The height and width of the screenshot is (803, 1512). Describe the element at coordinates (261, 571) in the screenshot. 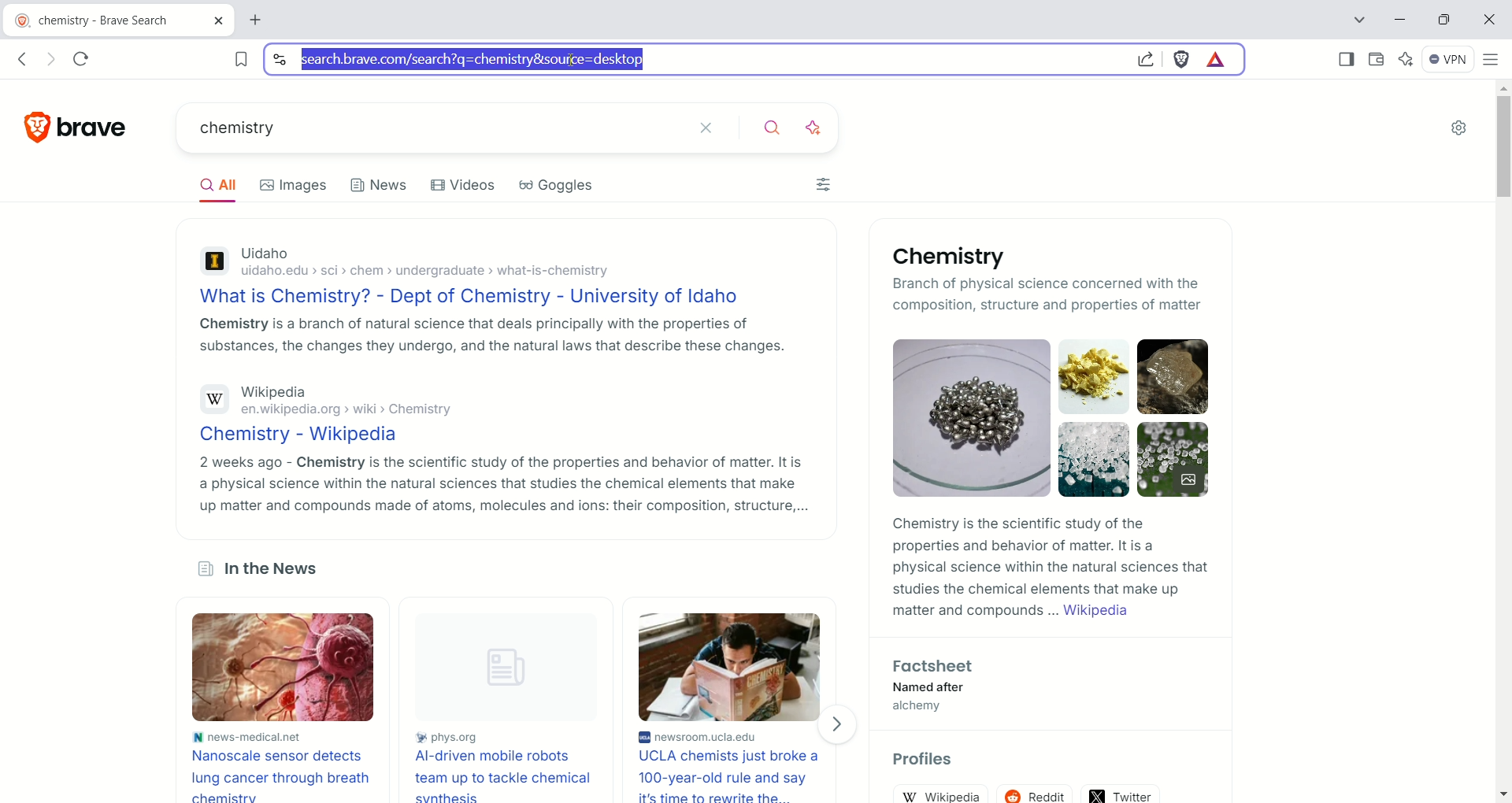

I see `In the News` at that location.